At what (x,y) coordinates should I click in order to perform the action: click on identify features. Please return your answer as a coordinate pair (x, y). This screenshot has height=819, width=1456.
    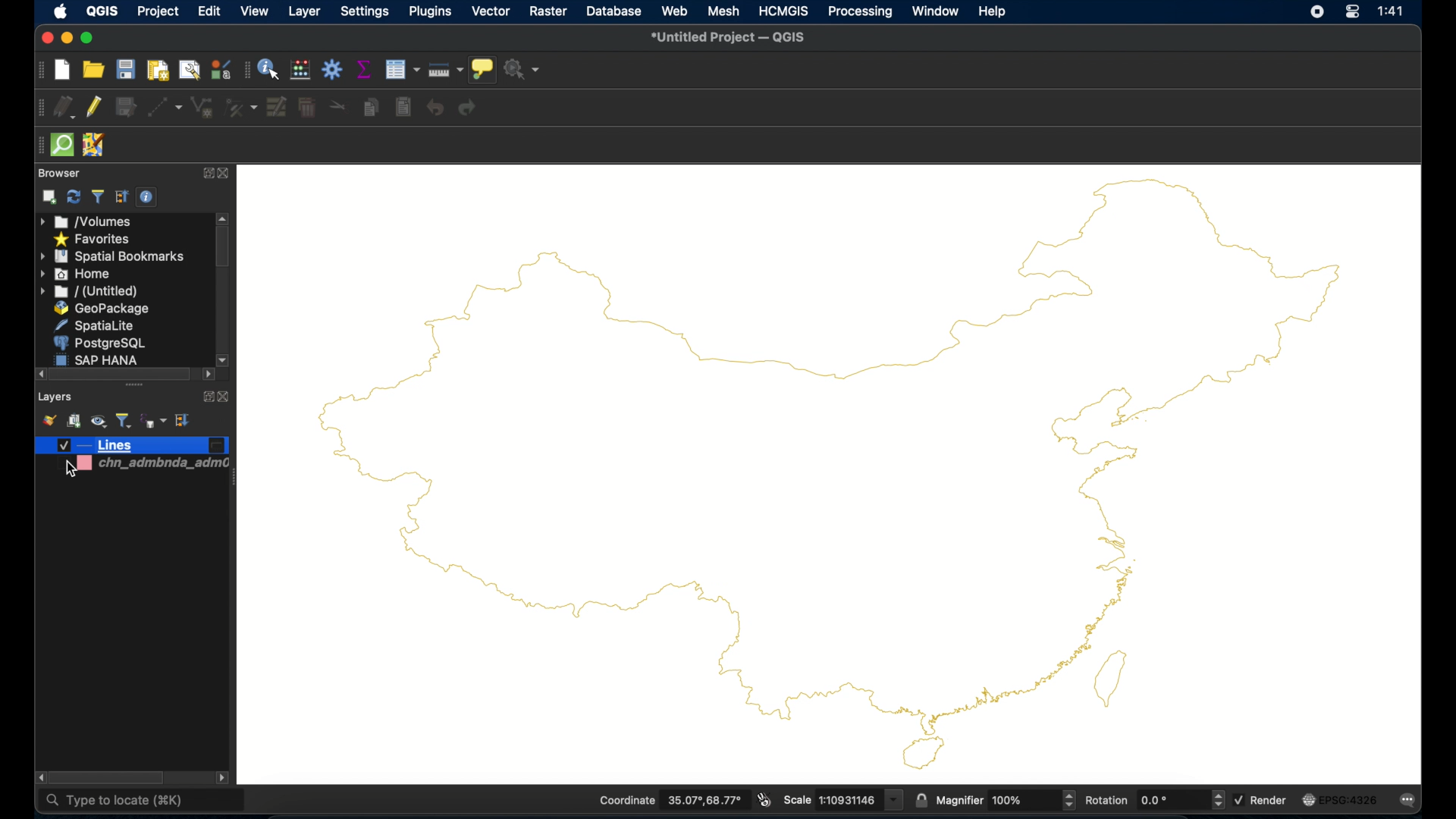
    Looking at the image, I should click on (269, 69).